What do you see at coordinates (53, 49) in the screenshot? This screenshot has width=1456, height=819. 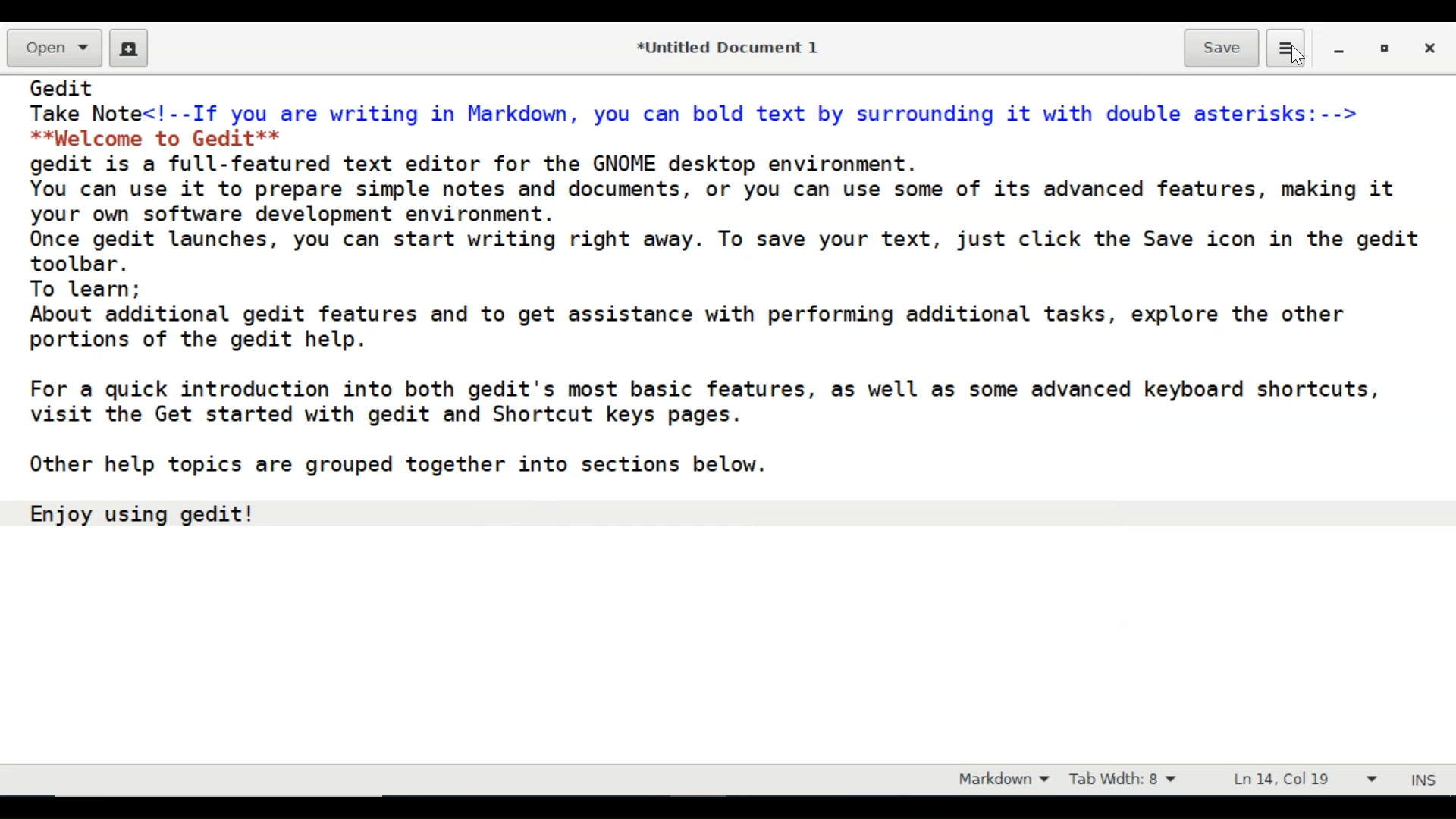 I see `Open` at bounding box center [53, 49].